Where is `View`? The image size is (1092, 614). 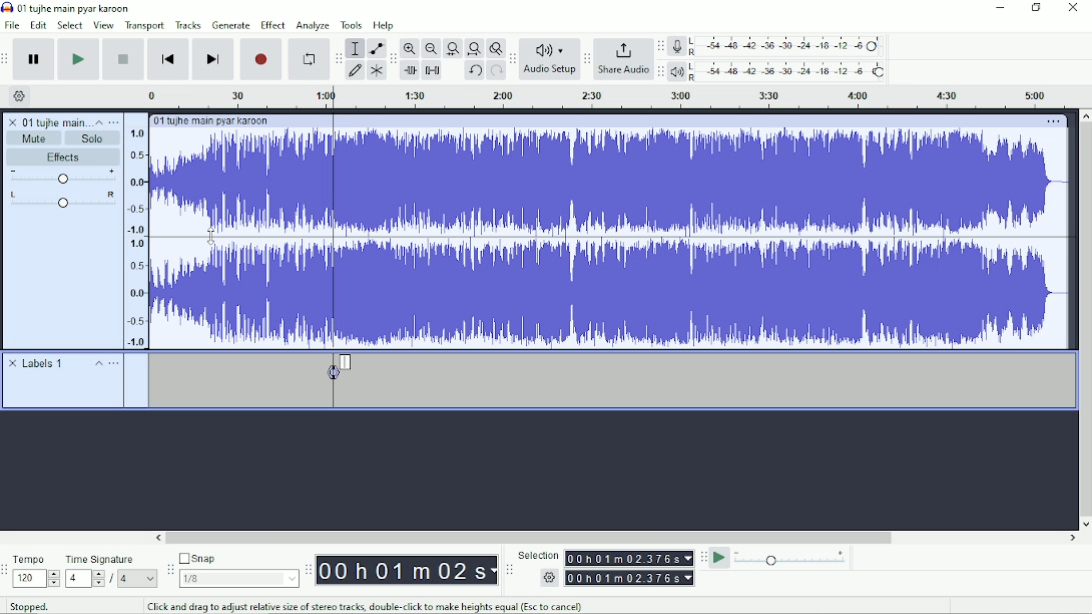
View is located at coordinates (104, 25).